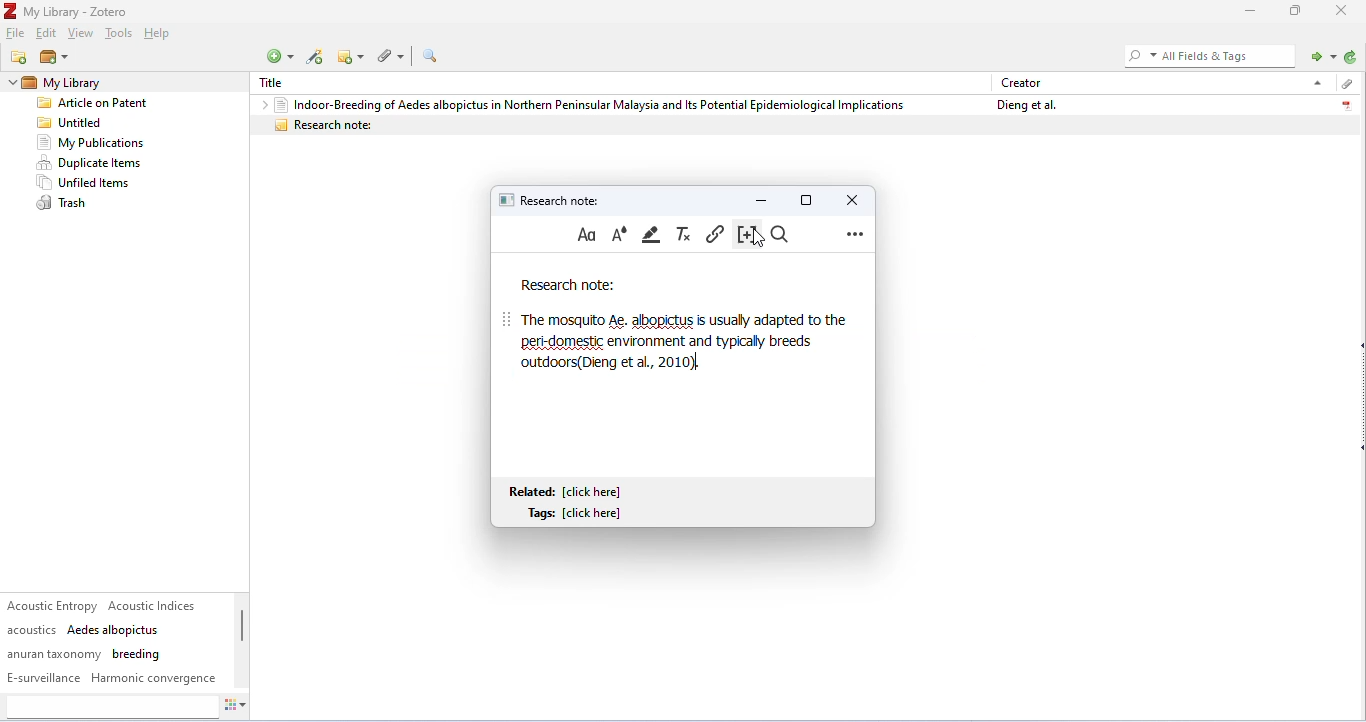 The height and width of the screenshot is (722, 1366). Describe the element at coordinates (653, 234) in the screenshot. I see `highlight` at that location.